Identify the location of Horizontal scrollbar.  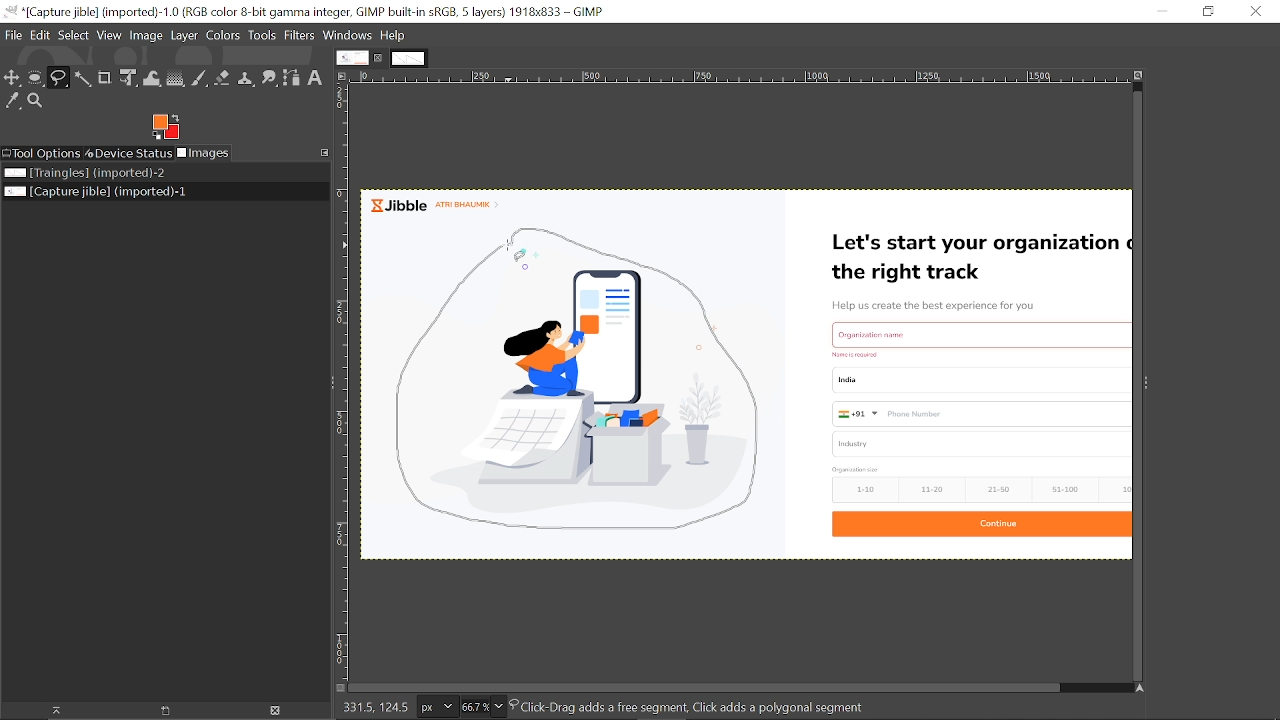
(702, 688).